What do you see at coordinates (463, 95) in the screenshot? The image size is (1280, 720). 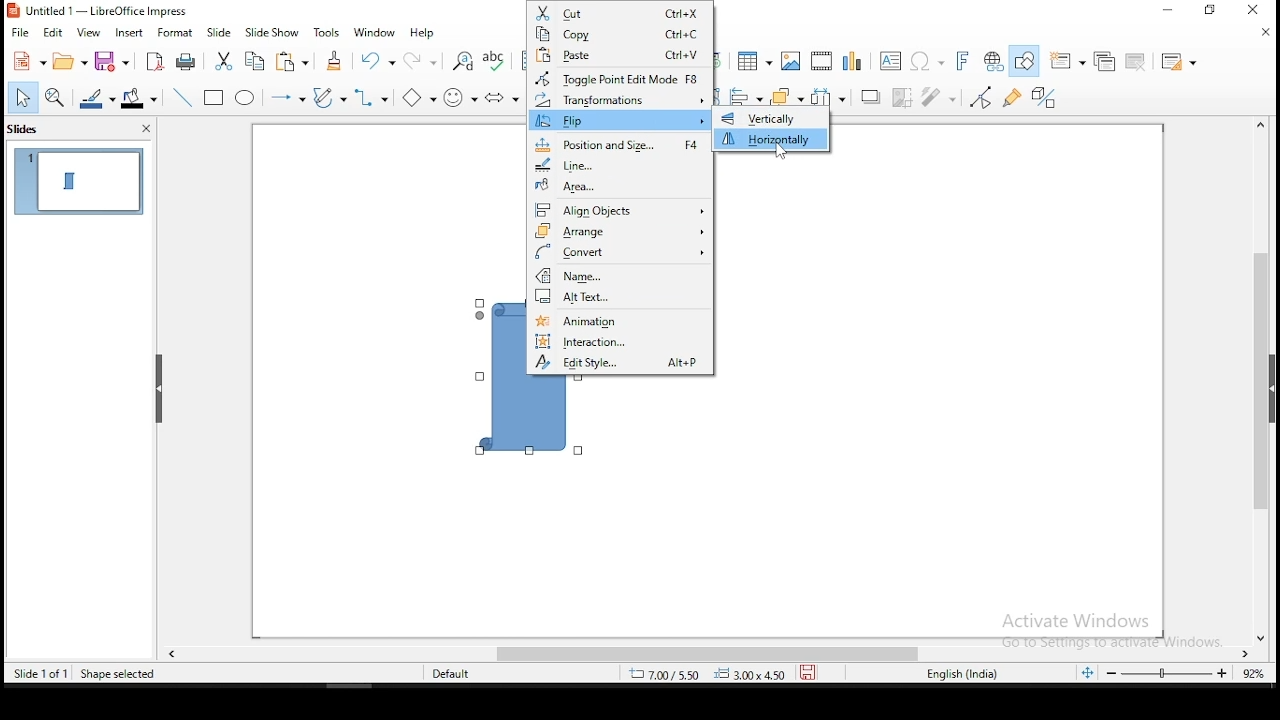 I see `symbol shapes` at bounding box center [463, 95].